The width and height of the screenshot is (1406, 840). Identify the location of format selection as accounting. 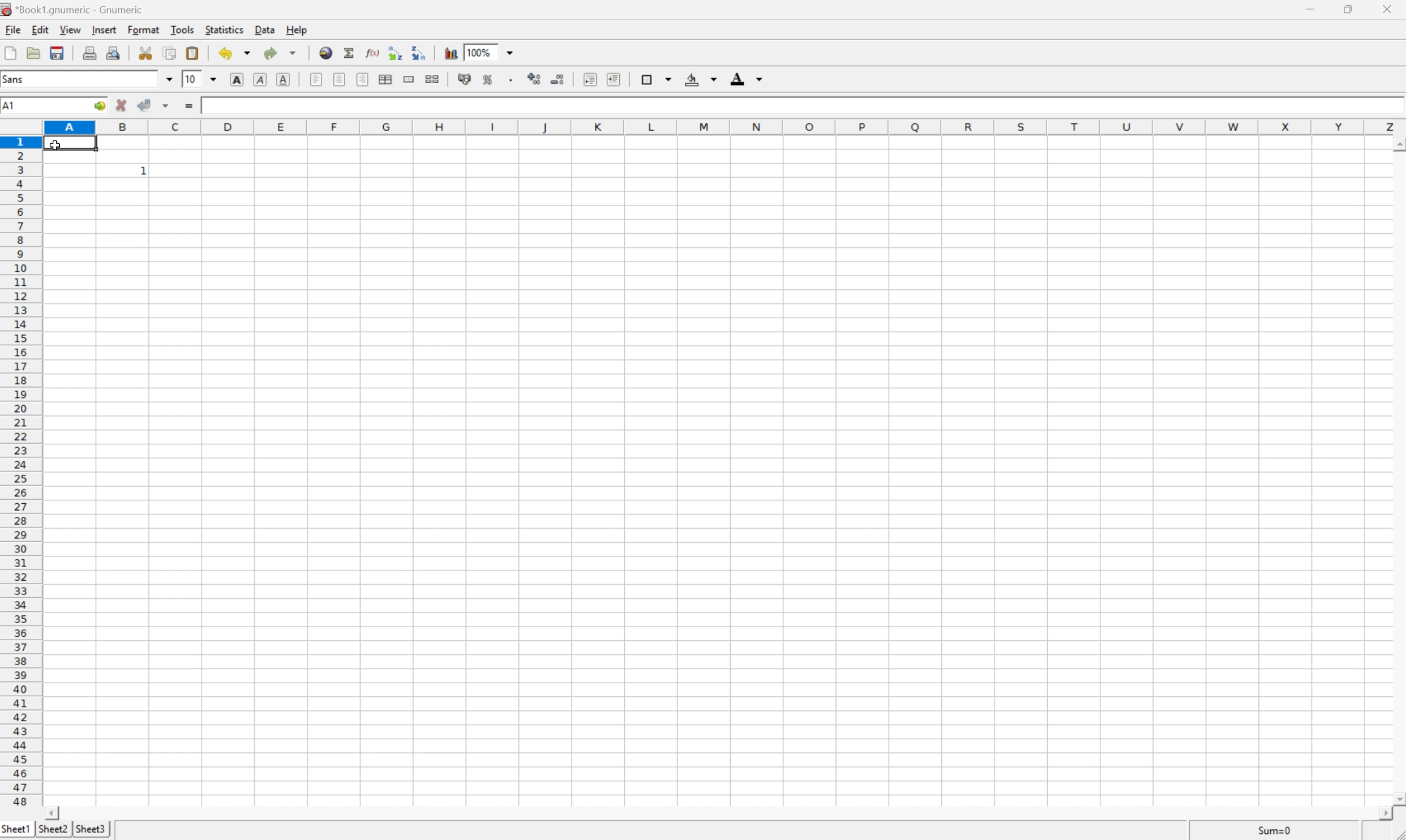
(467, 78).